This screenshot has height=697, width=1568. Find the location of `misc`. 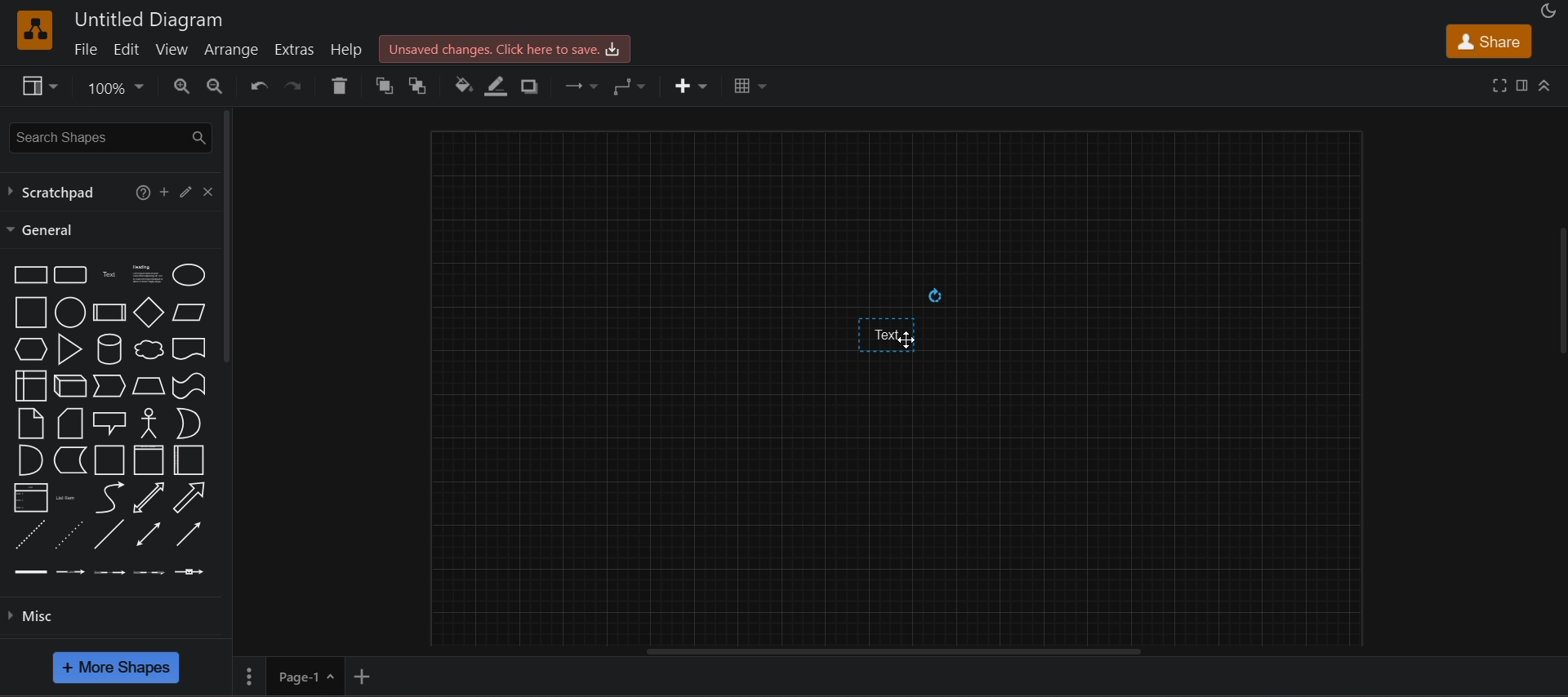

misc is located at coordinates (30, 616).